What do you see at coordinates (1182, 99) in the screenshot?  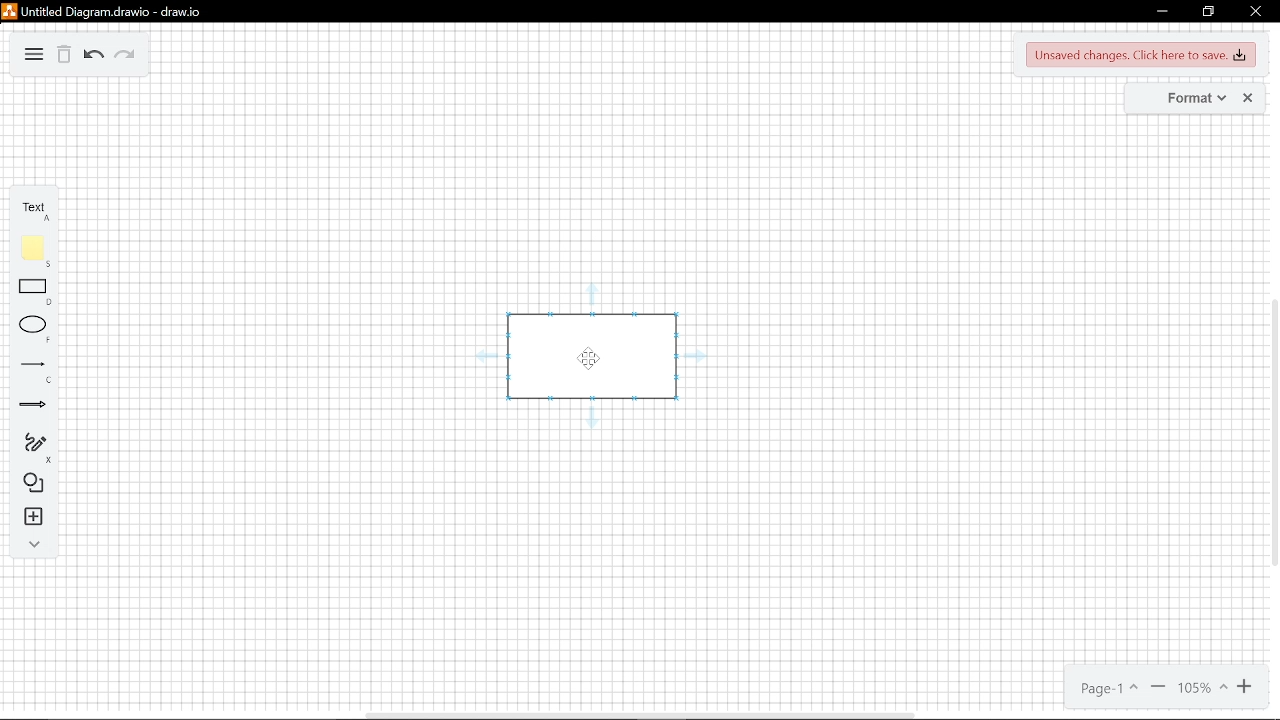 I see `format` at bounding box center [1182, 99].